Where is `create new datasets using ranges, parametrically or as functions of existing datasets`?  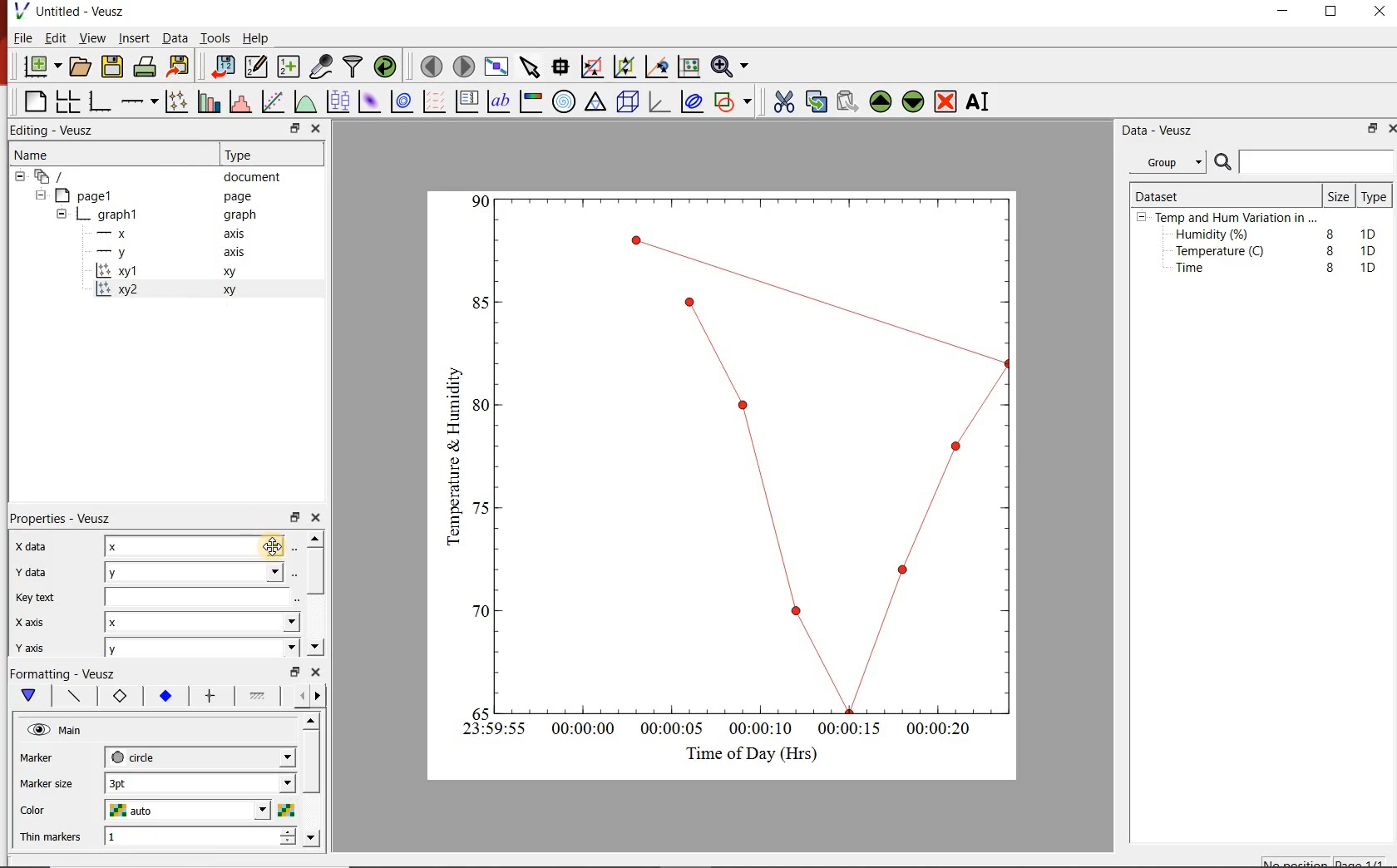
create new datasets using ranges, parametrically or as functions of existing datasets is located at coordinates (289, 67).